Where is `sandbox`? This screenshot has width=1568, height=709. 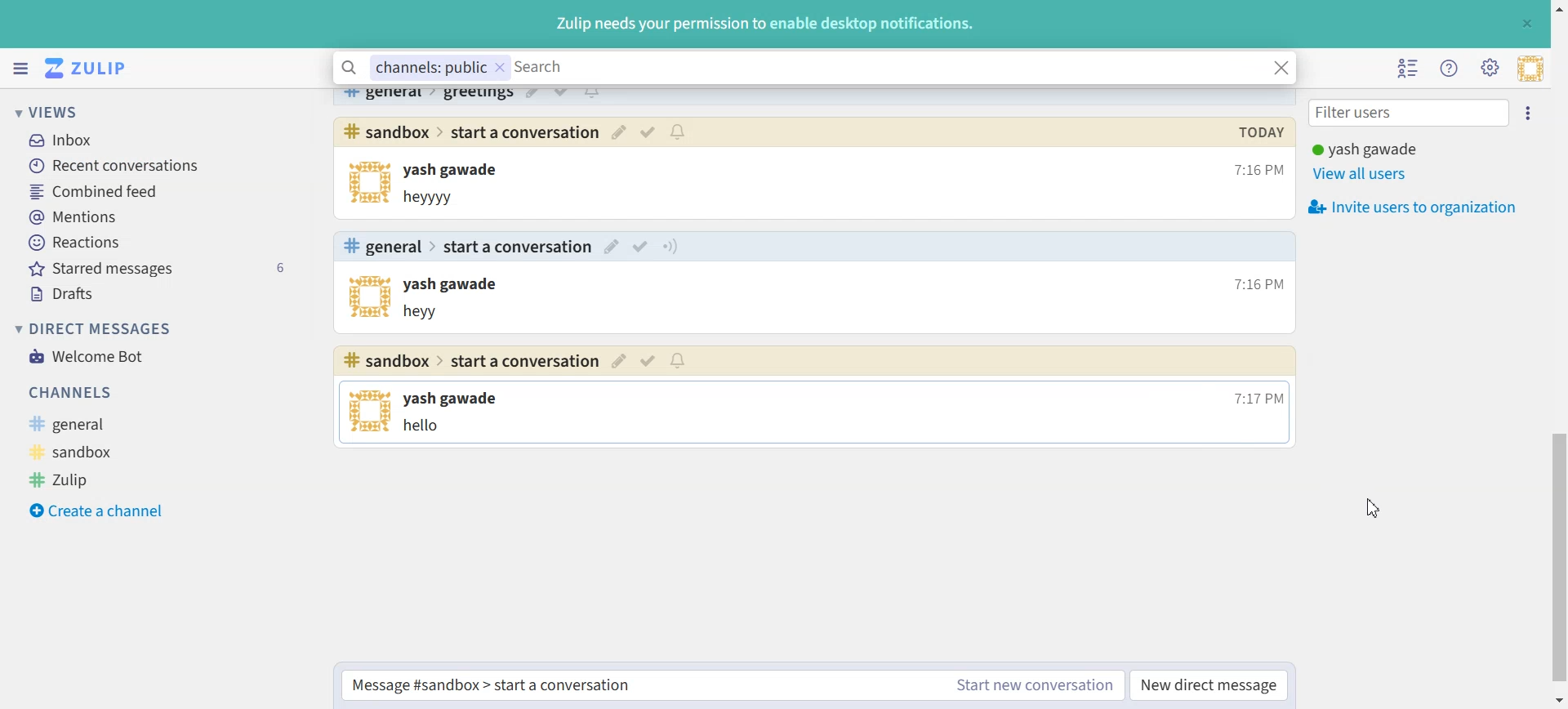 sandbox is located at coordinates (388, 361).